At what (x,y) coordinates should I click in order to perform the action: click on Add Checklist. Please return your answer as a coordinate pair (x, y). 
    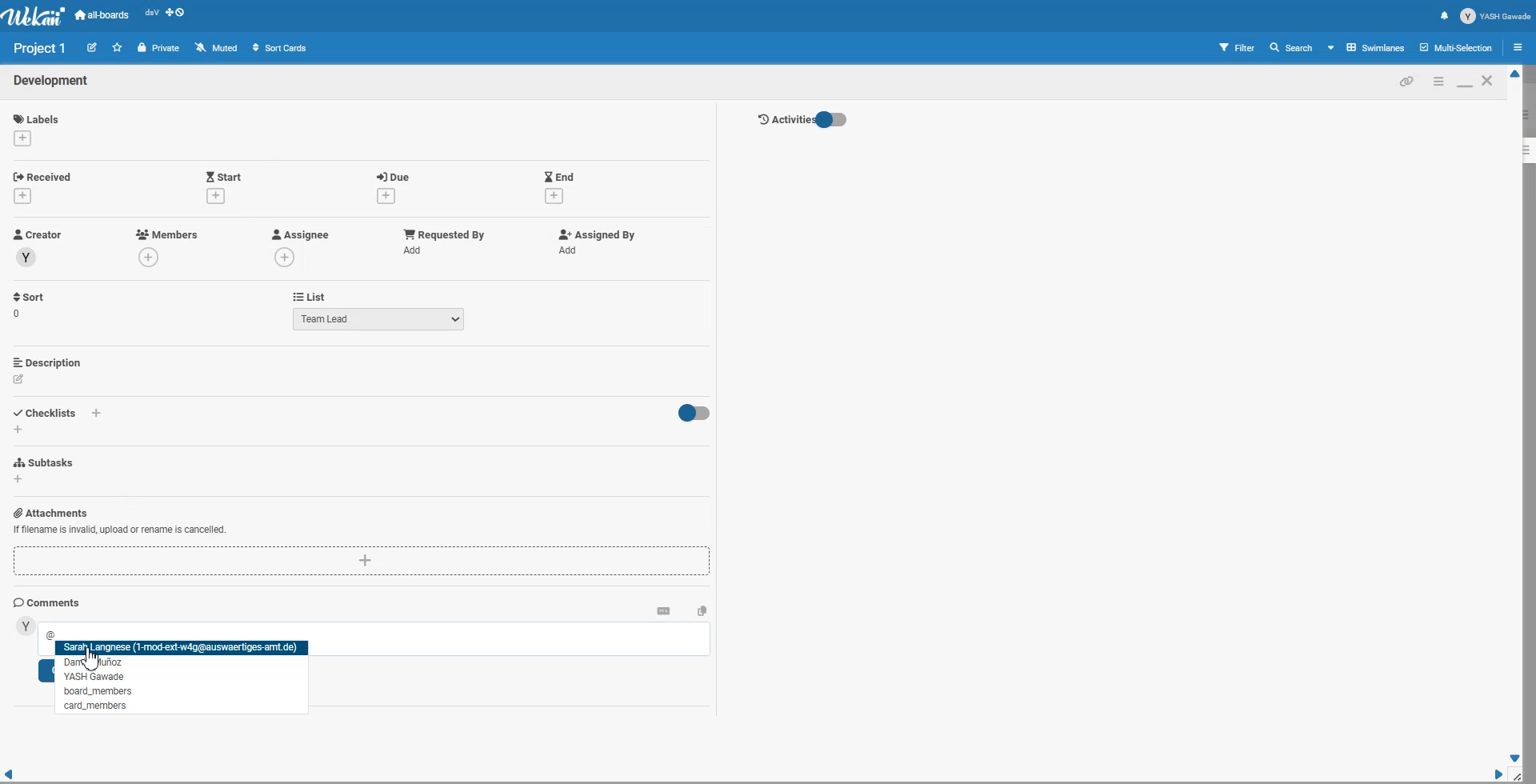
    Looking at the image, I should click on (48, 411).